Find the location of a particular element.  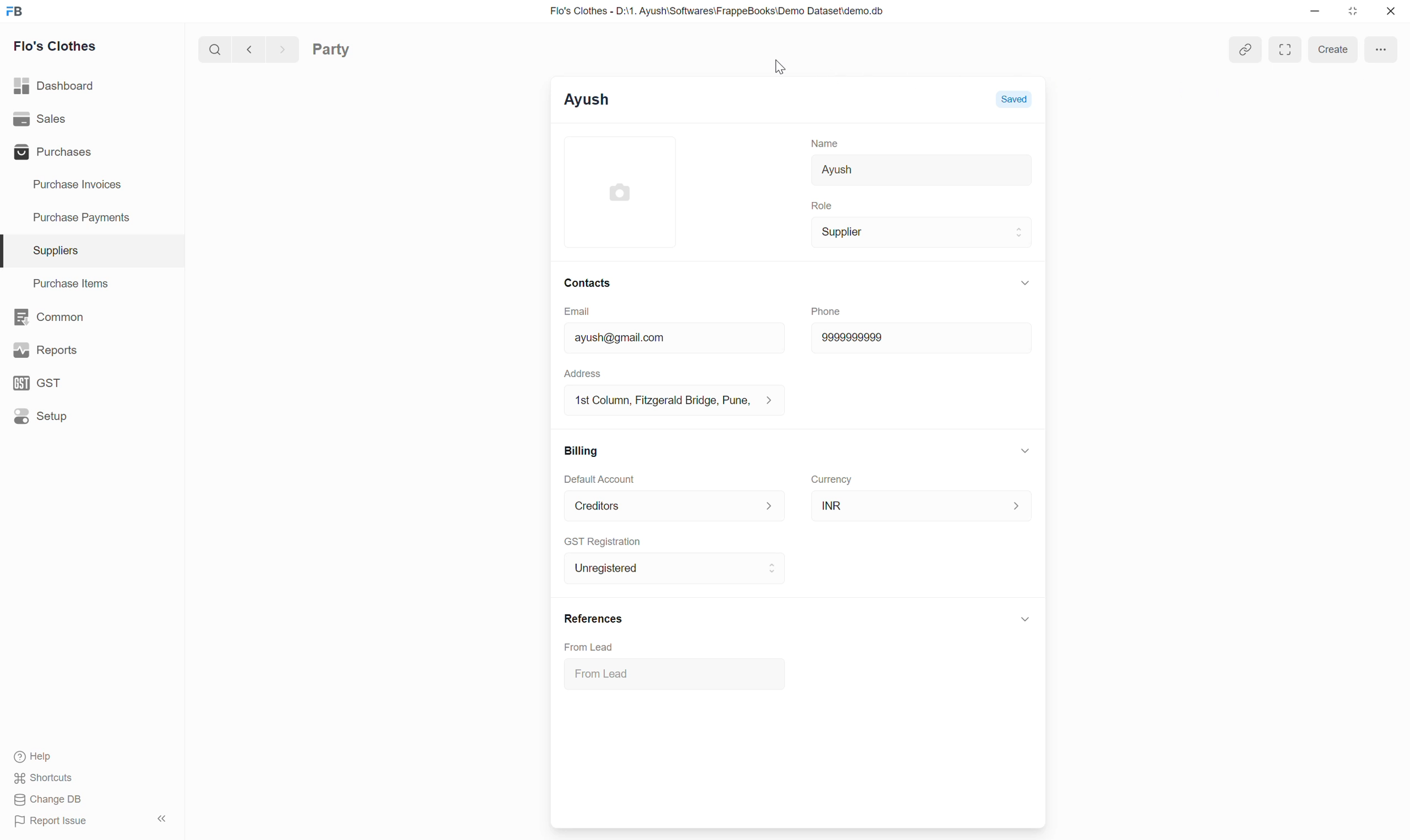

Ayush is located at coordinates (587, 100).